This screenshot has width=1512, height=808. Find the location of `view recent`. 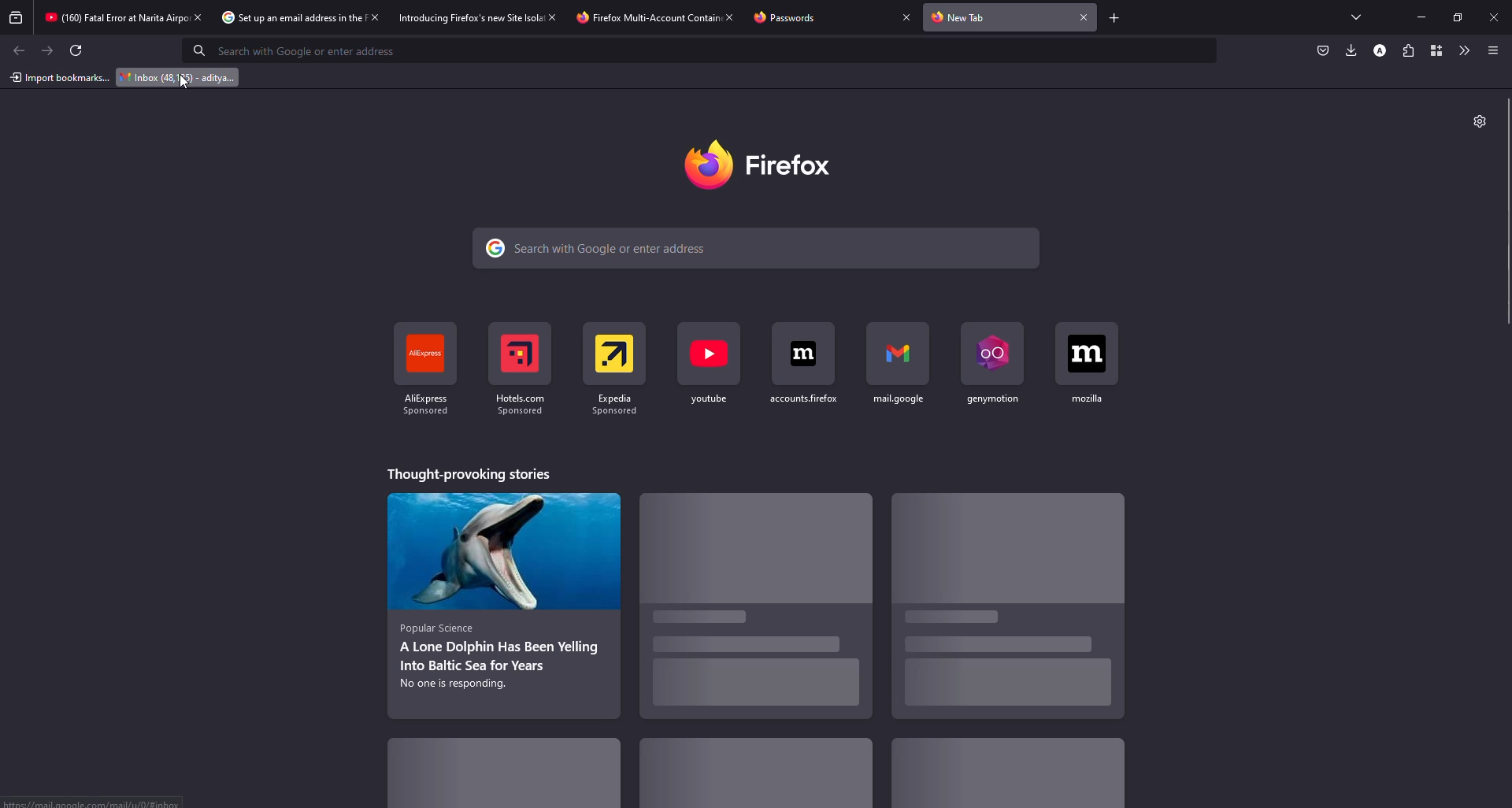

view recent is located at coordinates (16, 18).